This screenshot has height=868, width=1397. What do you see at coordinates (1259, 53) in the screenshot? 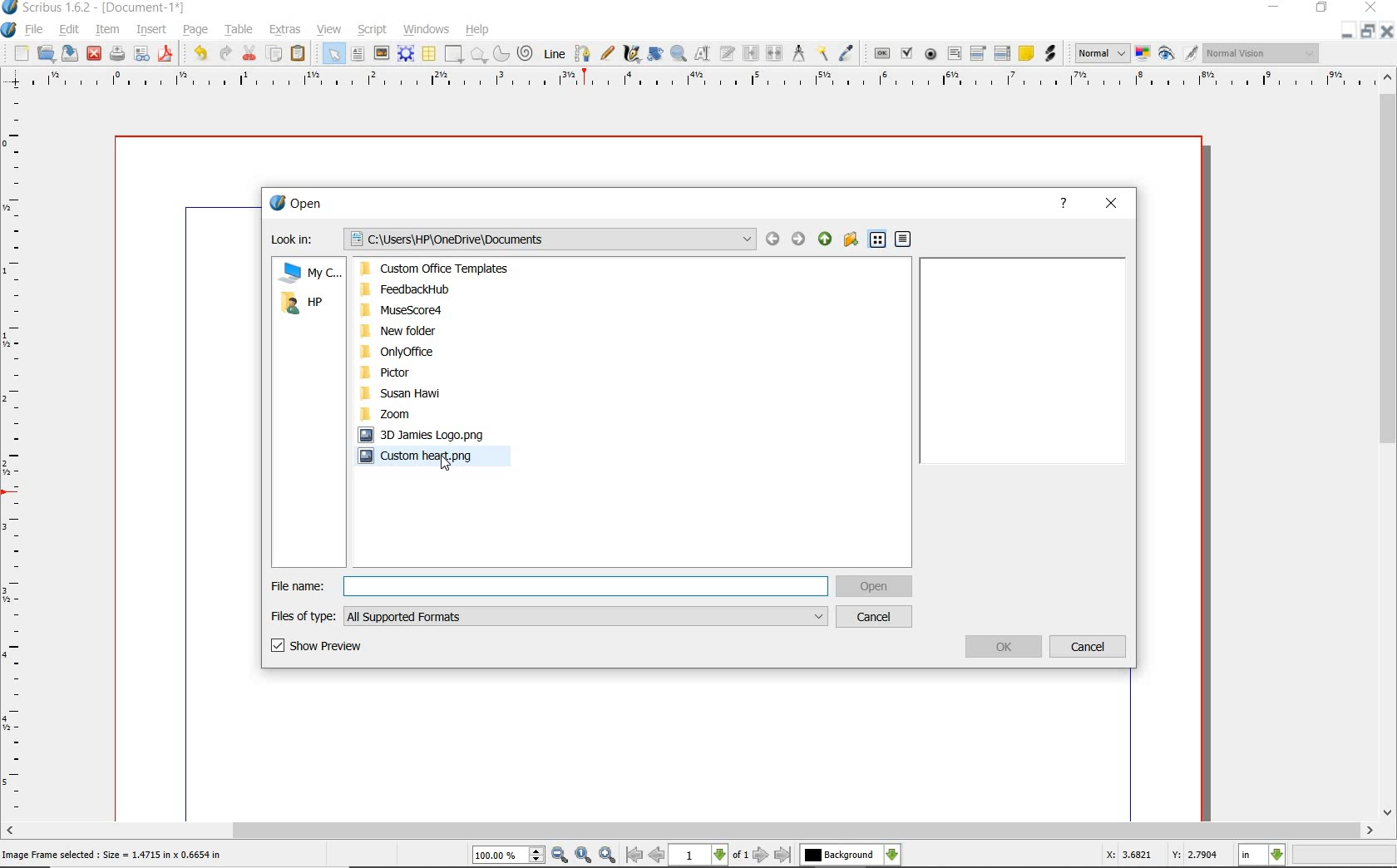
I see `visual appearance of the display` at bounding box center [1259, 53].